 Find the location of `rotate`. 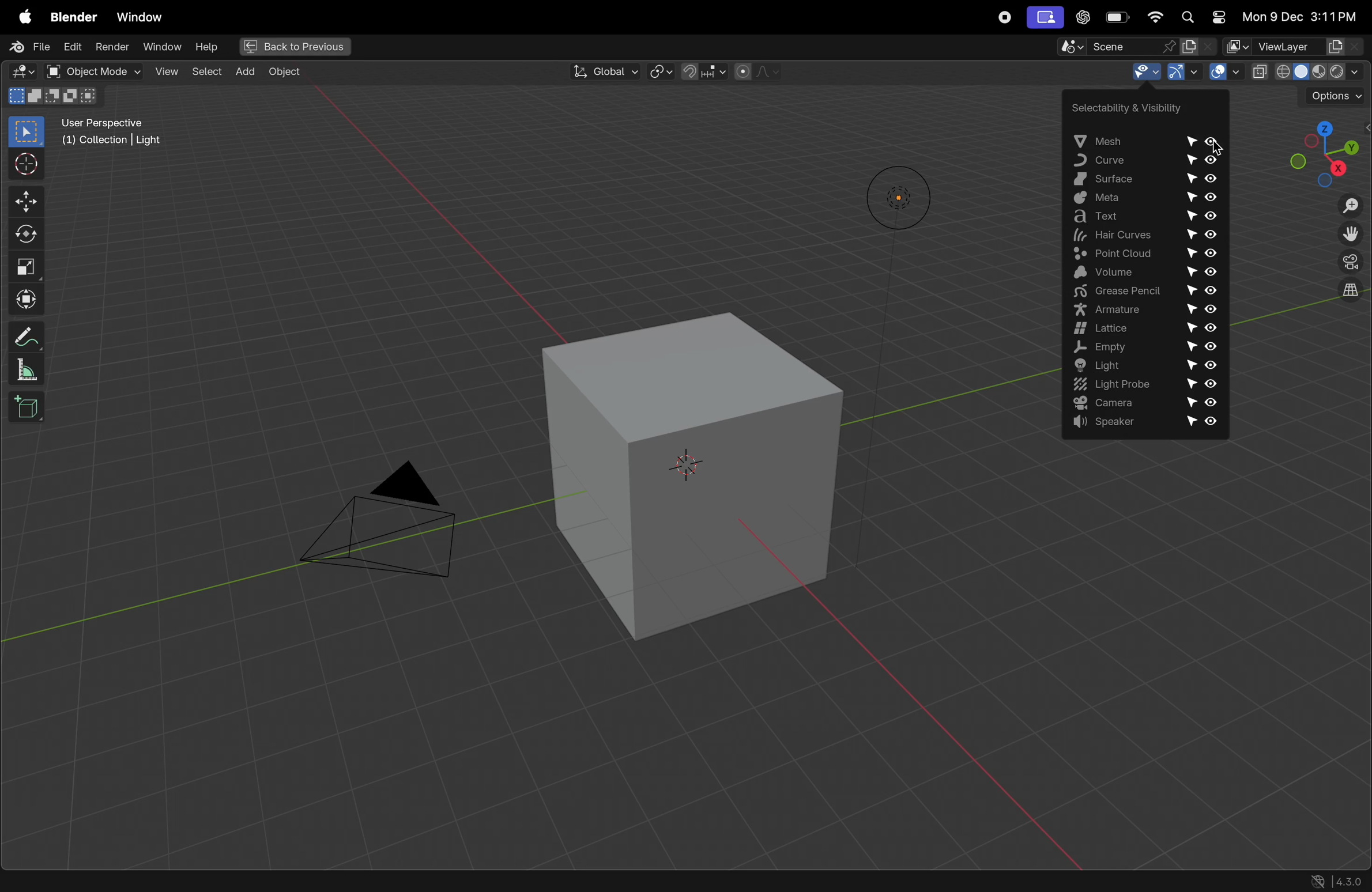

rotate is located at coordinates (25, 233).